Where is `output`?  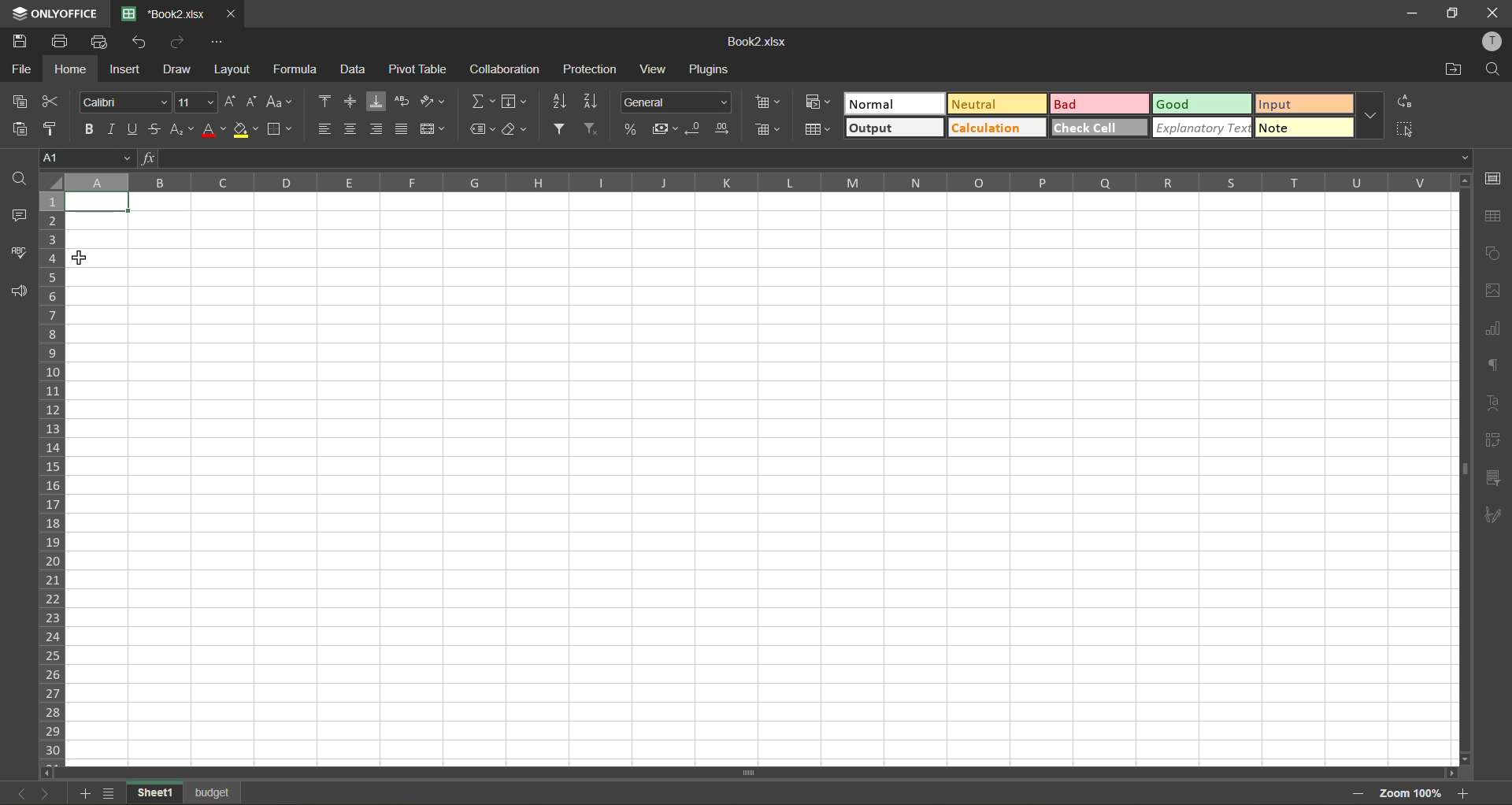 output is located at coordinates (896, 127).